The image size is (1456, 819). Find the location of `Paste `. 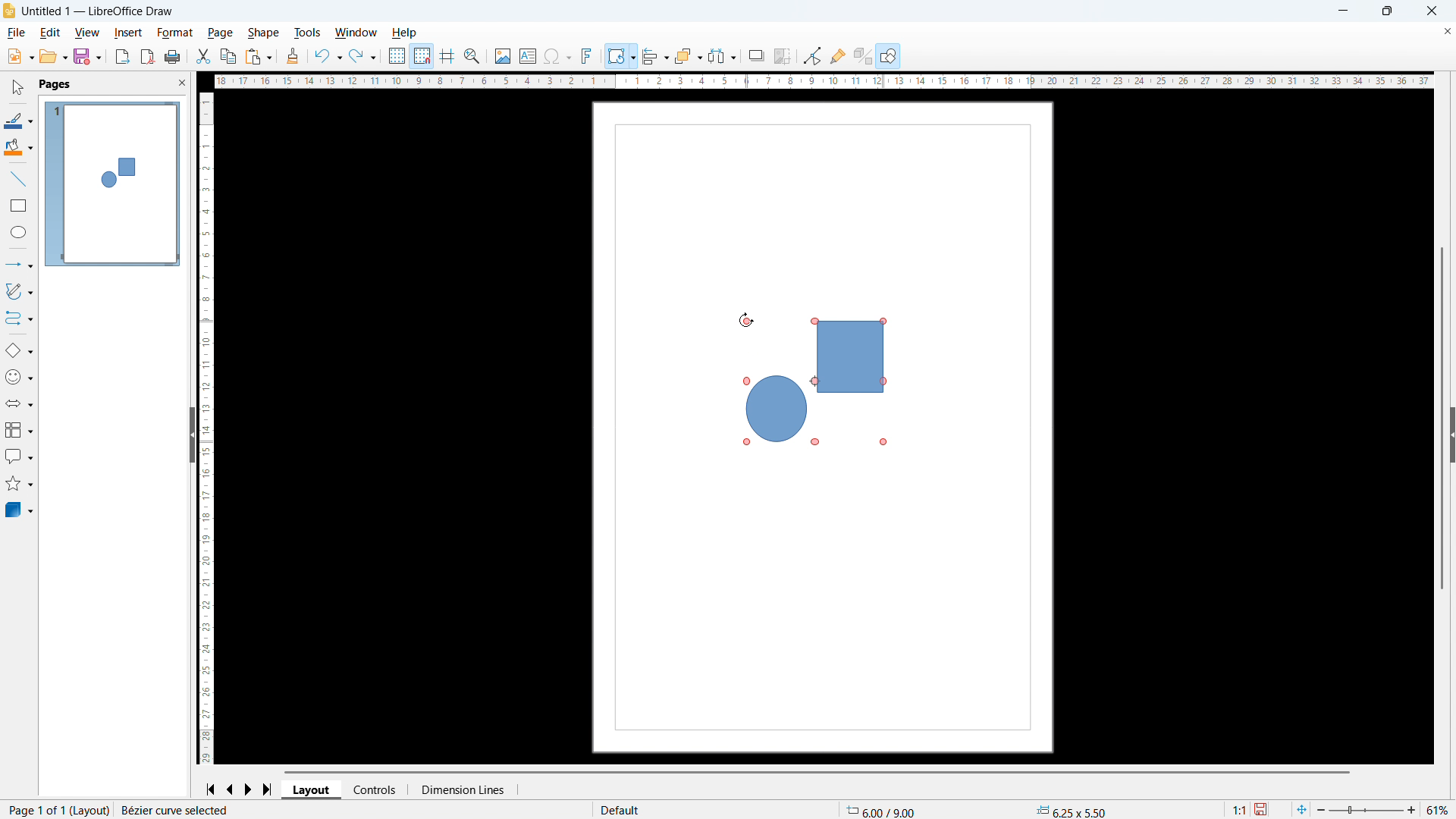

Paste  is located at coordinates (259, 56).